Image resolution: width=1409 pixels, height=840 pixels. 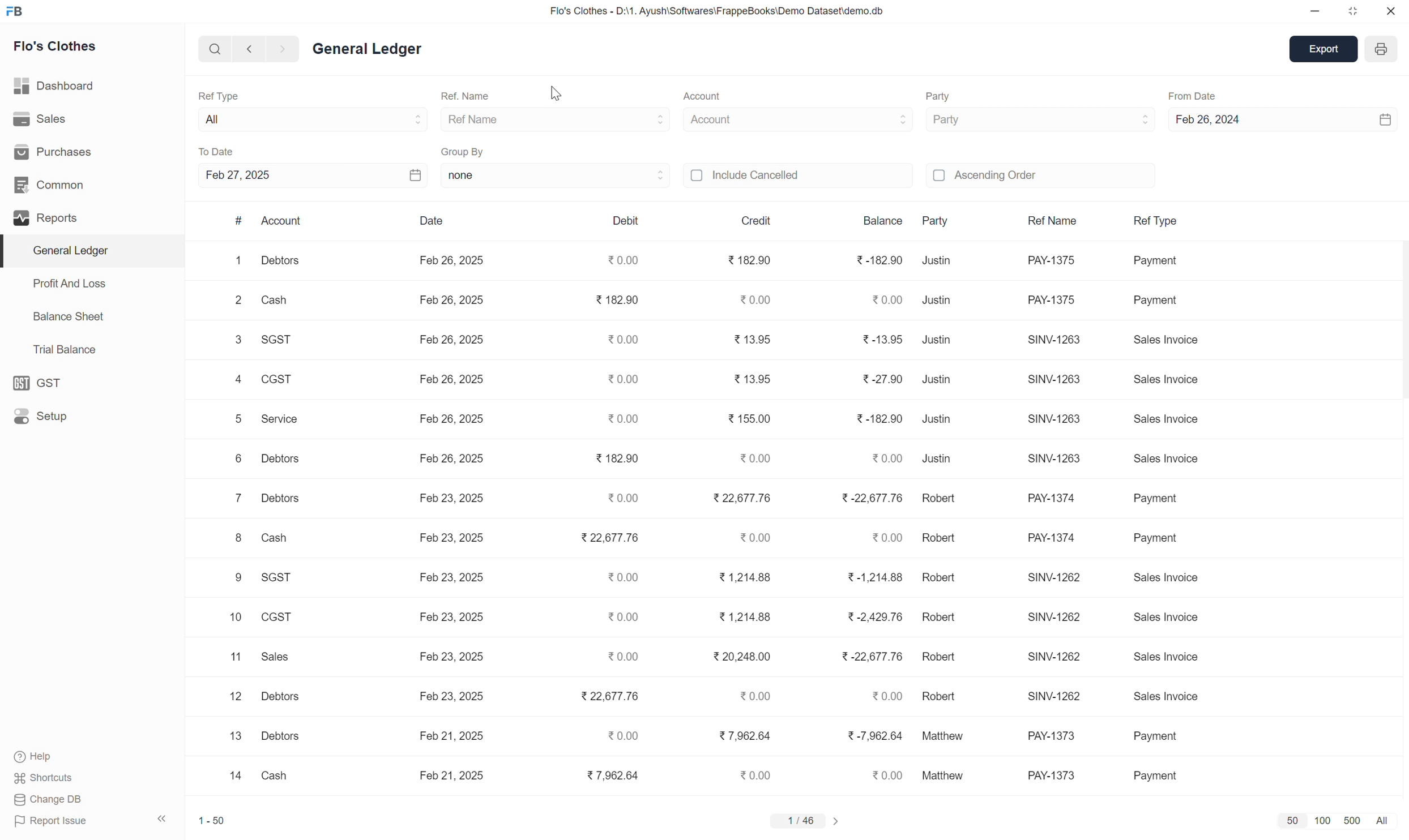 What do you see at coordinates (625, 222) in the screenshot?
I see `debit` at bounding box center [625, 222].